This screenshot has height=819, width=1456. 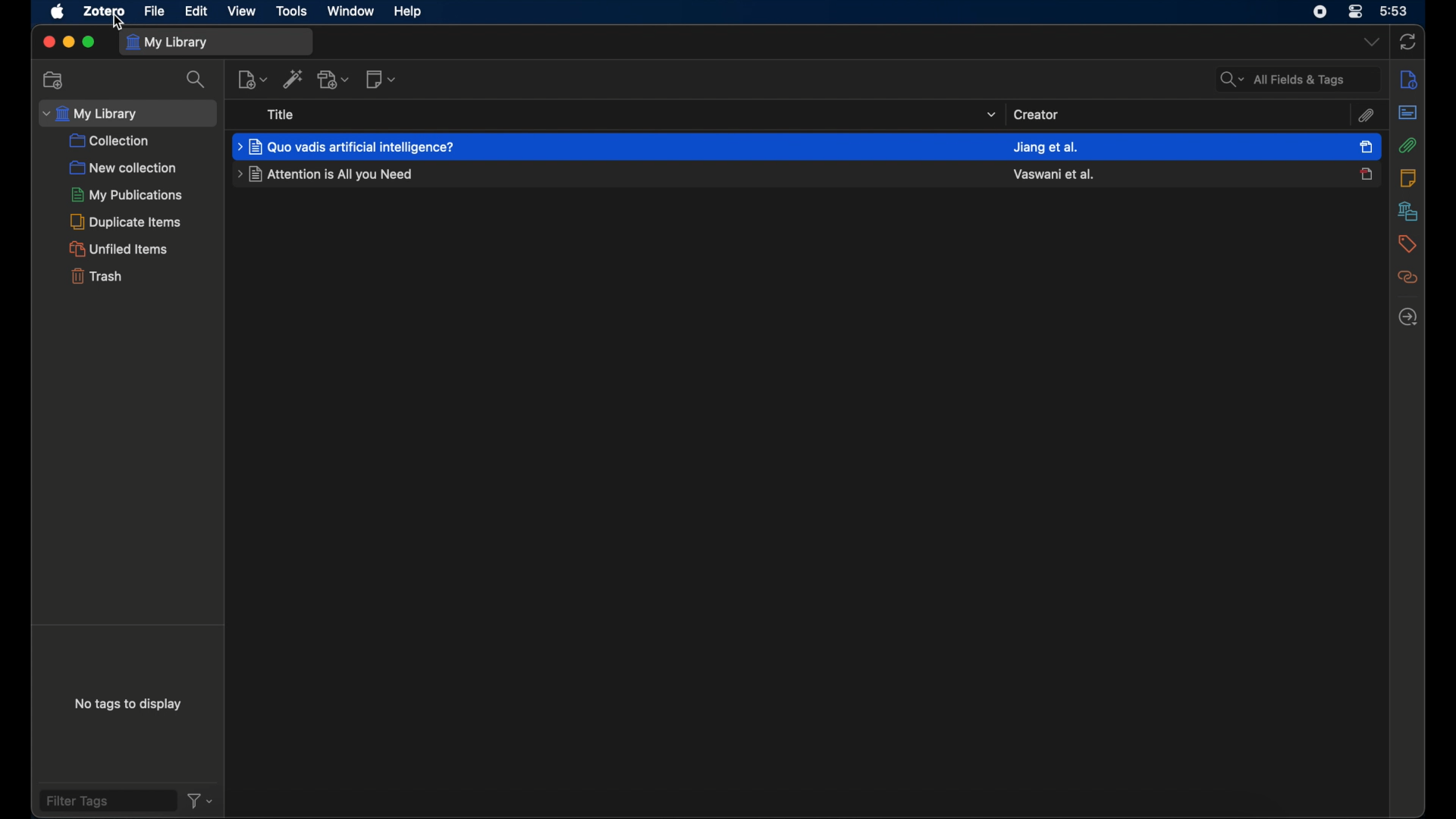 I want to click on dropdown menu, so click(x=991, y=115).